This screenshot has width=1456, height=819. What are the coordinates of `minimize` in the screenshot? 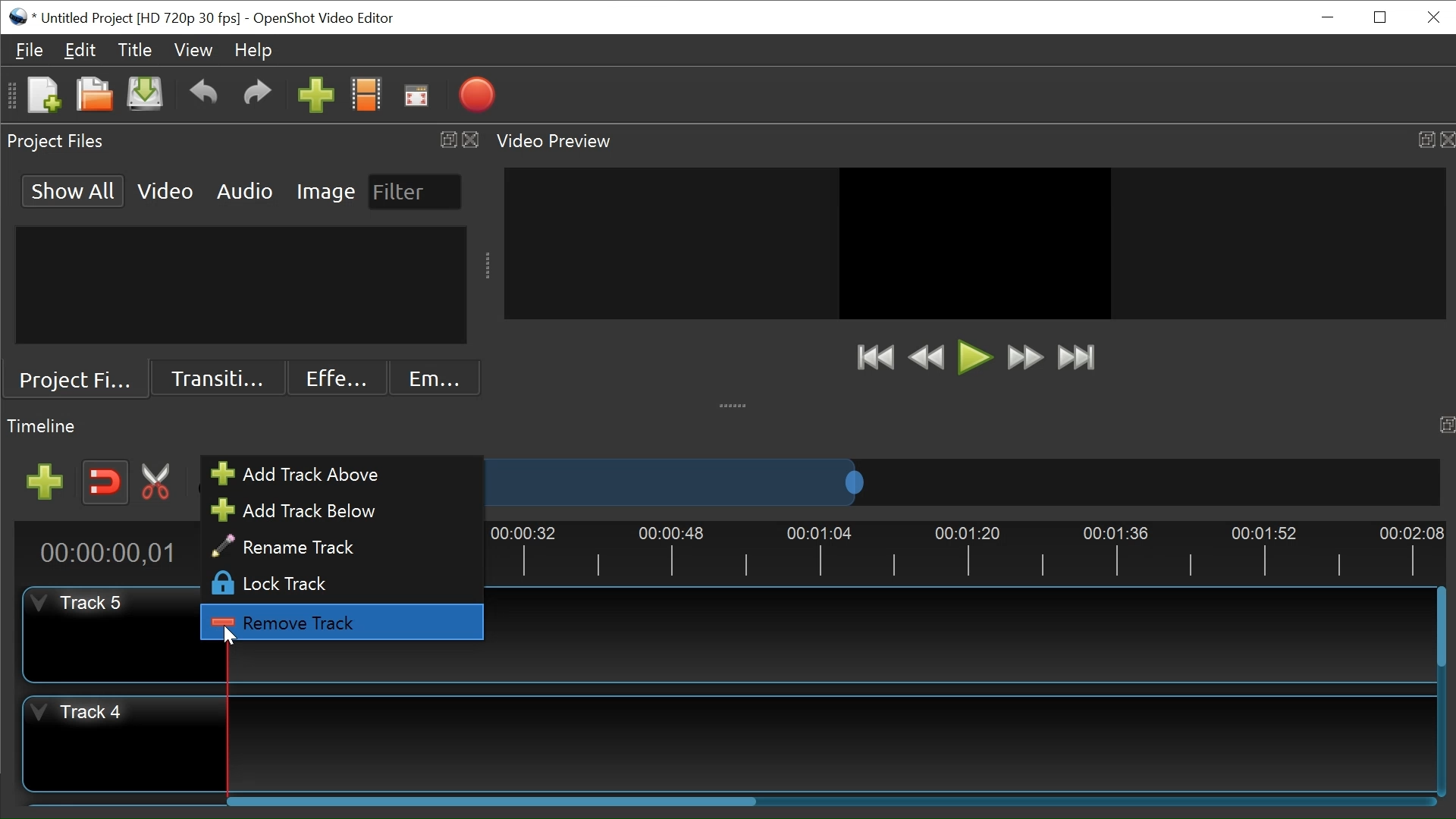 It's located at (1326, 17).